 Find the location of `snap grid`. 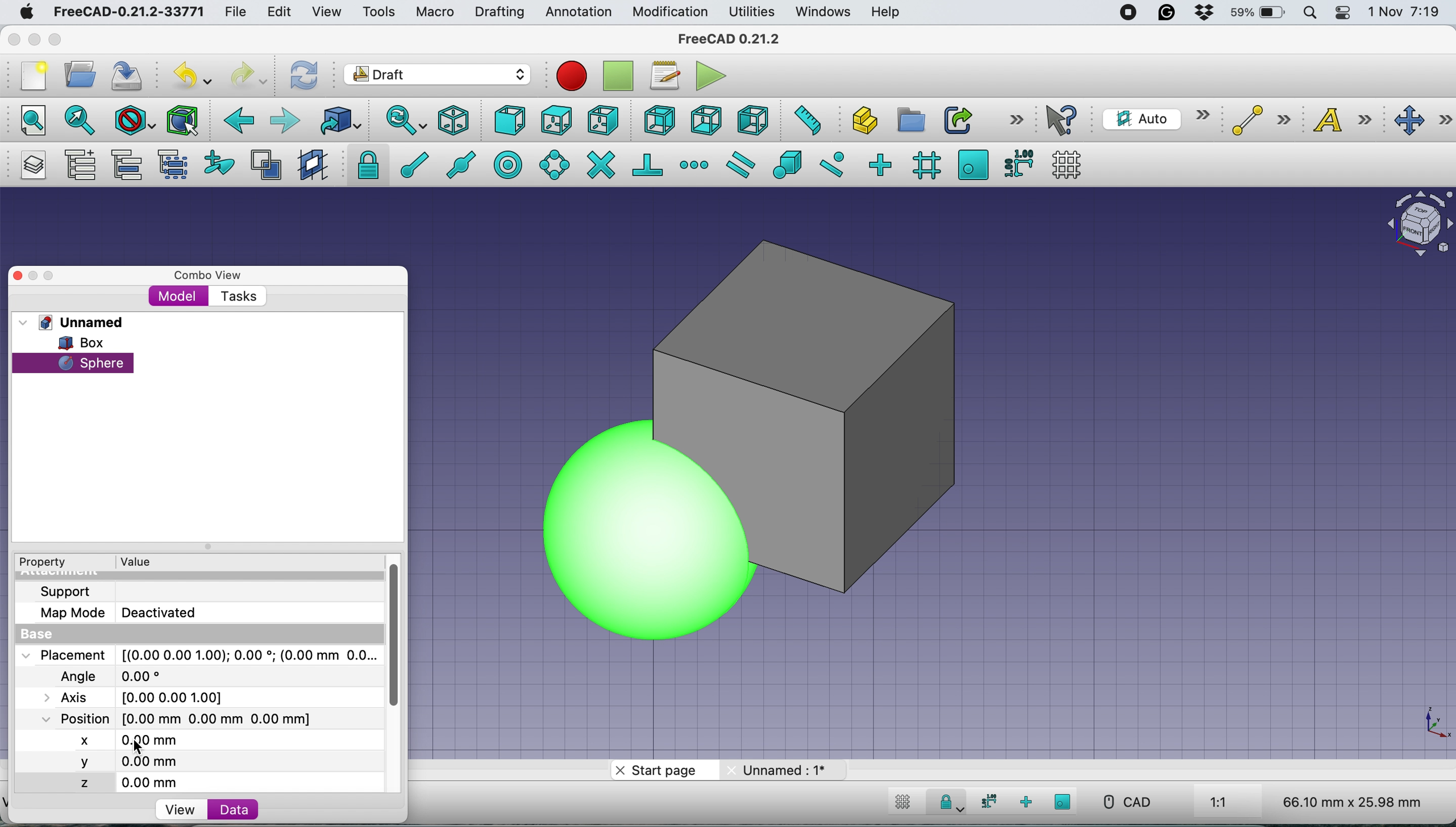

snap grid is located at coordinates (925, 165).